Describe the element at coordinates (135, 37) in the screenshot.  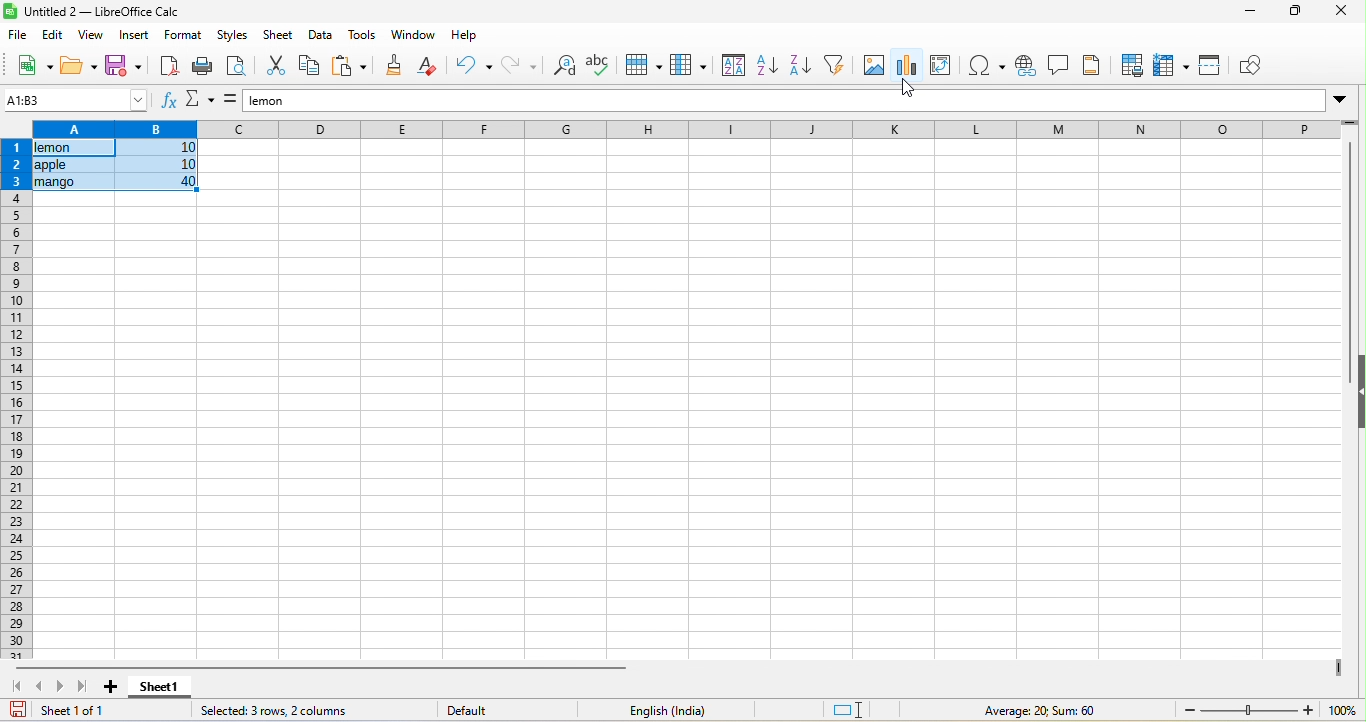
I see `insert` at that location.